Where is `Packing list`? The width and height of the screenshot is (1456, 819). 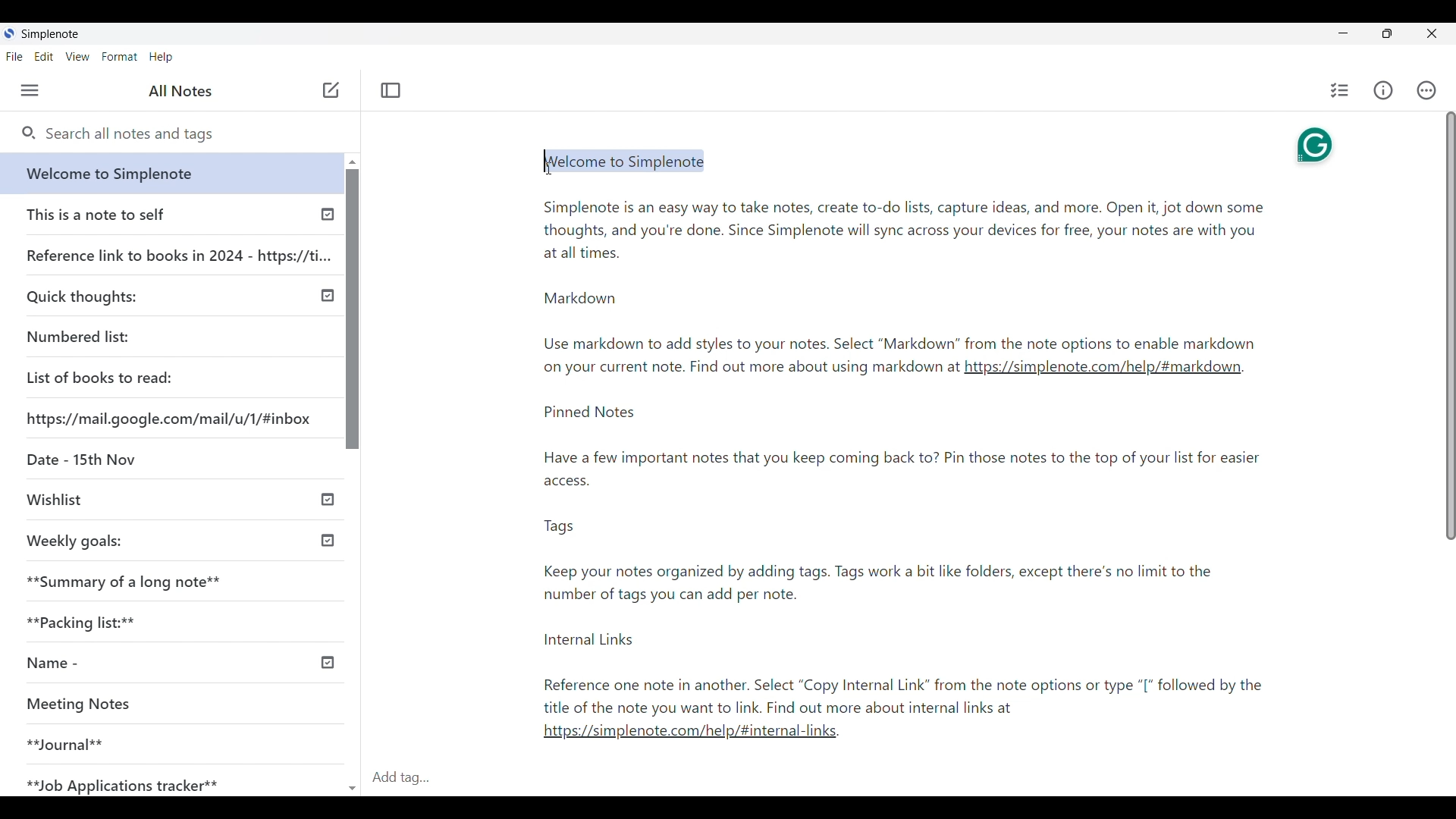 Packing list is located at coordinates (79, 622).